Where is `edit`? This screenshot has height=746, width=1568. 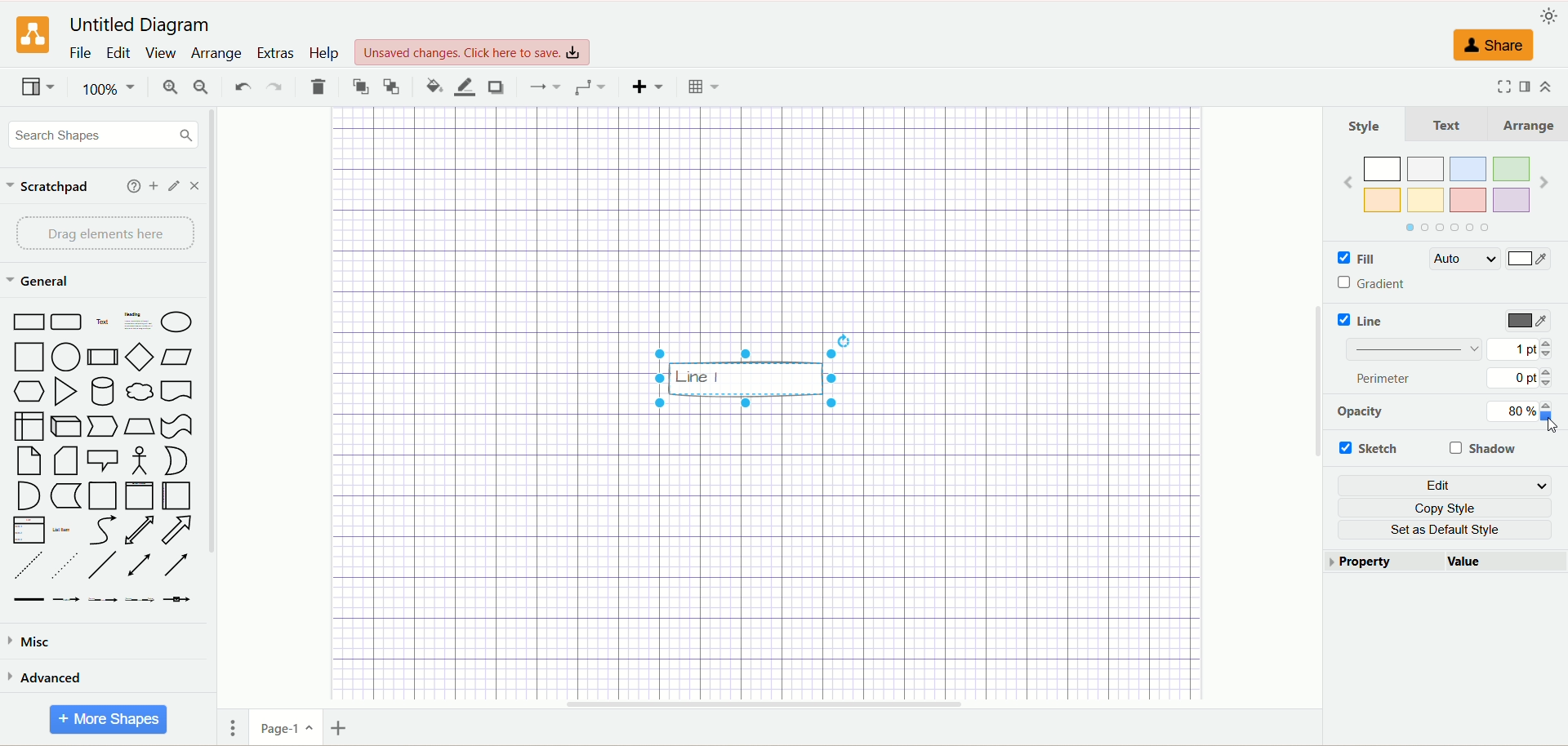 edit is located at coordinates (117, 53).